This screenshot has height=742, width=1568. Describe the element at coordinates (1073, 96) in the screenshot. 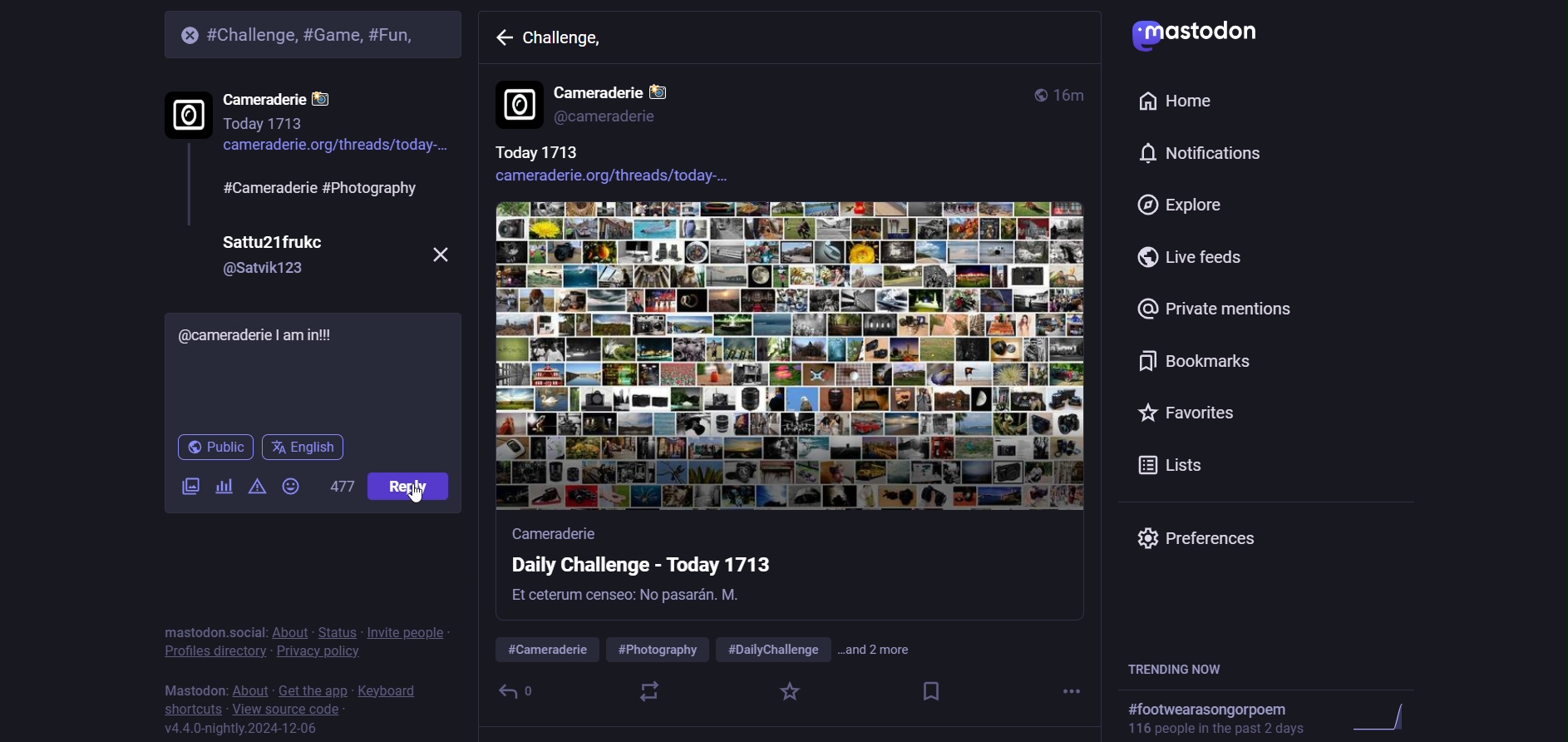

I see `16m` at that location.